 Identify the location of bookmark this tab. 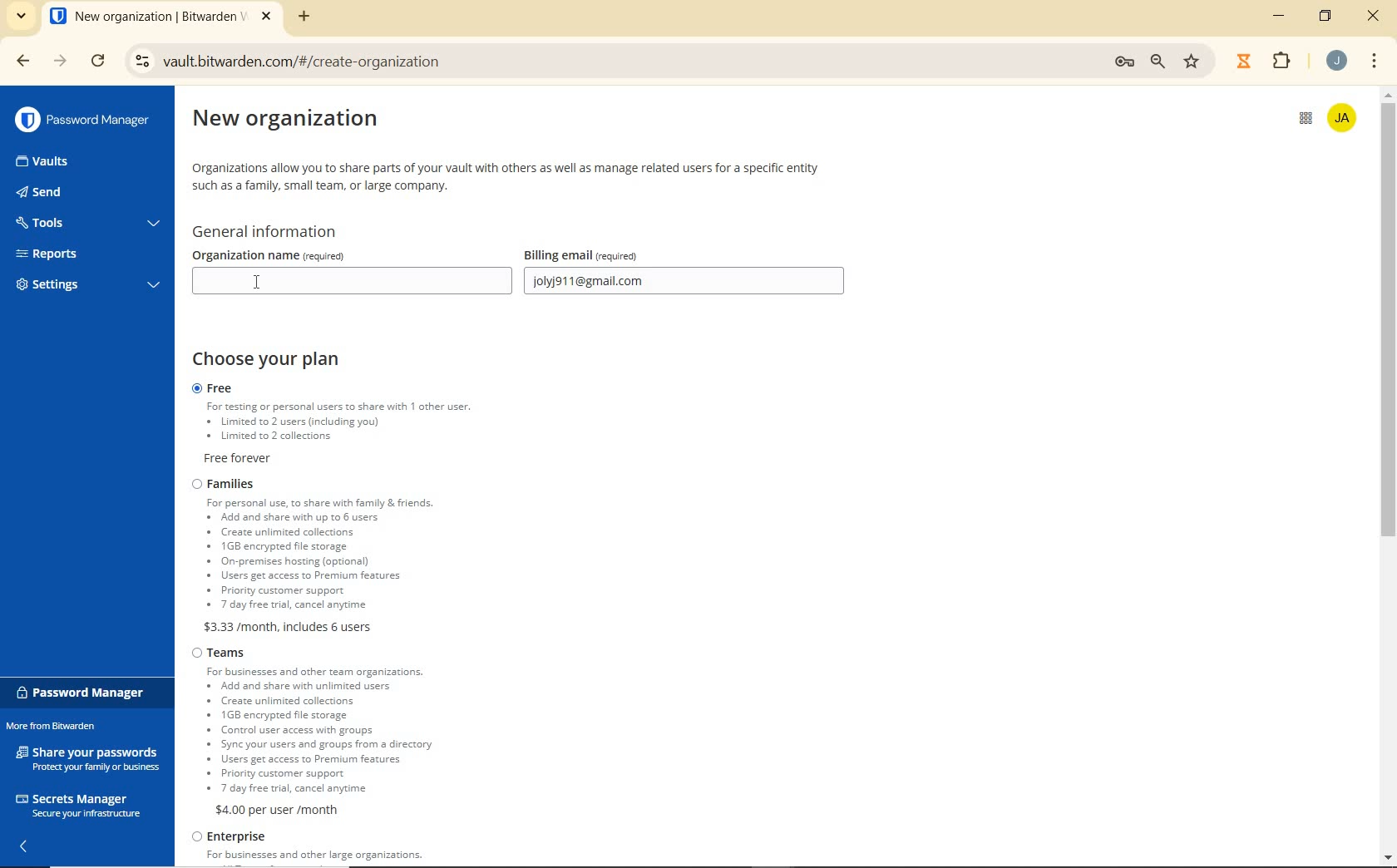
(1193, 60).